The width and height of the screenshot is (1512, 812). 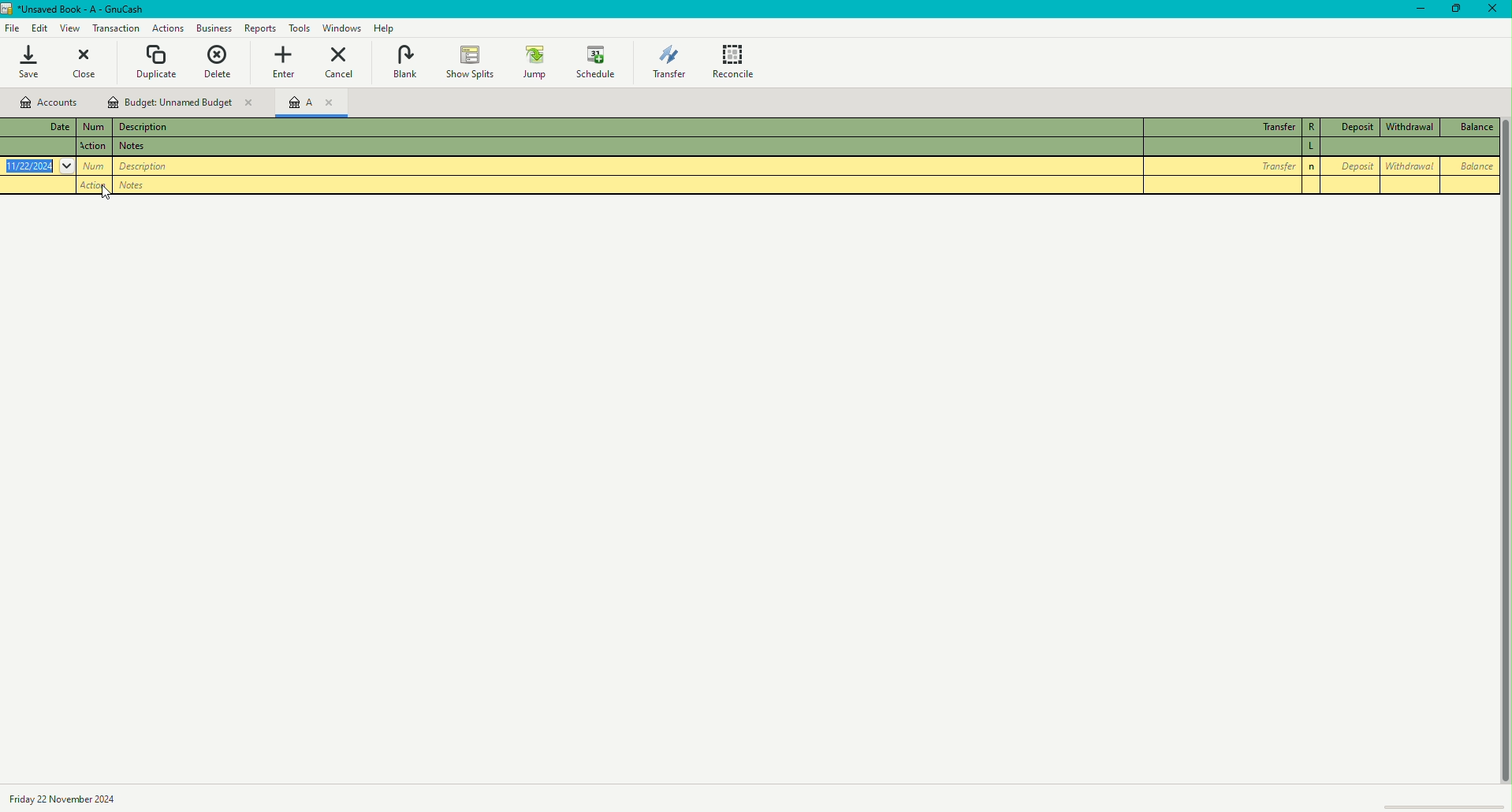 I want to click on Withdrawal, so click(x=1410, y=166).